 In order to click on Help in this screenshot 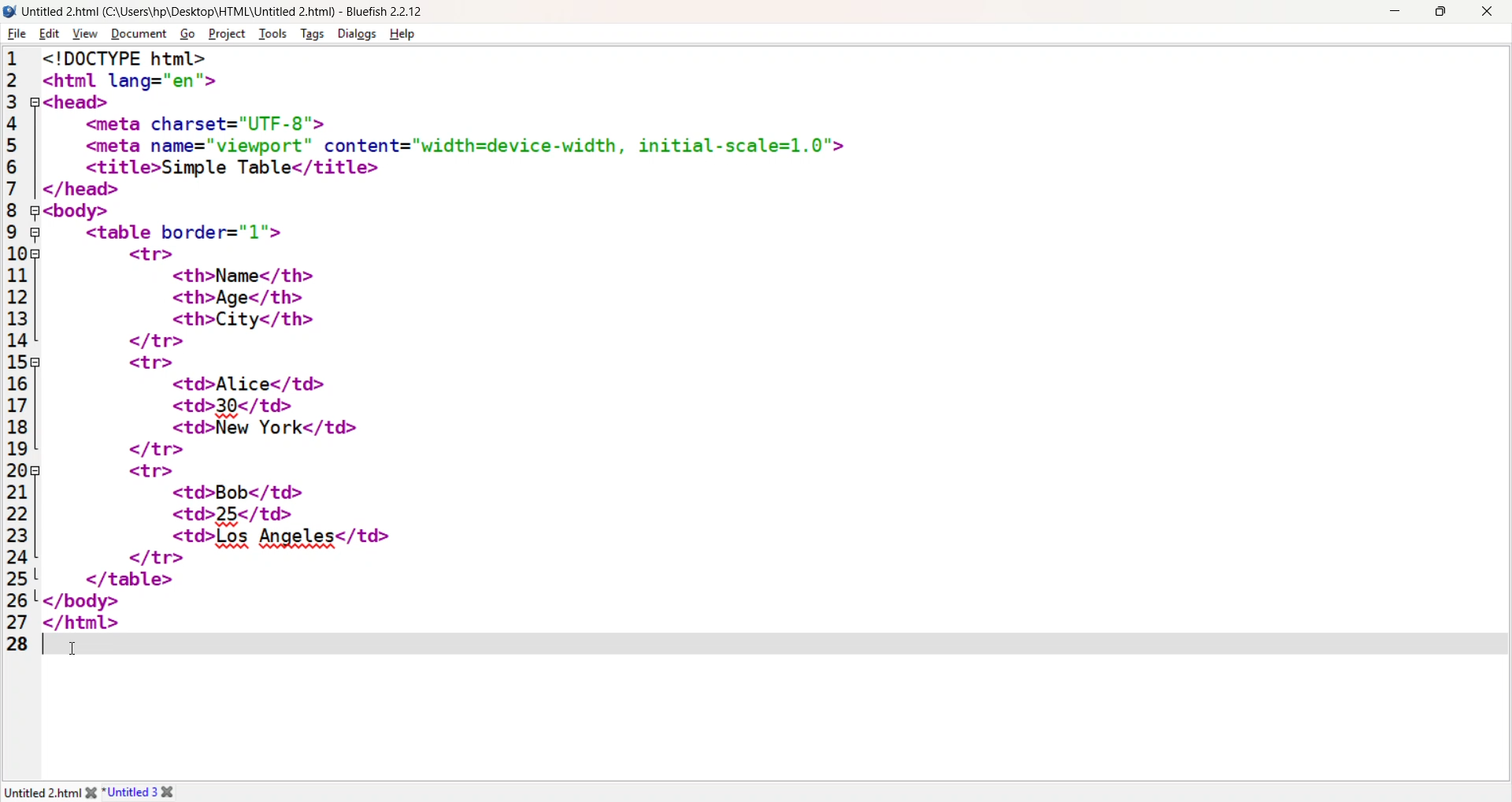, I will do `click(405, 34)`.